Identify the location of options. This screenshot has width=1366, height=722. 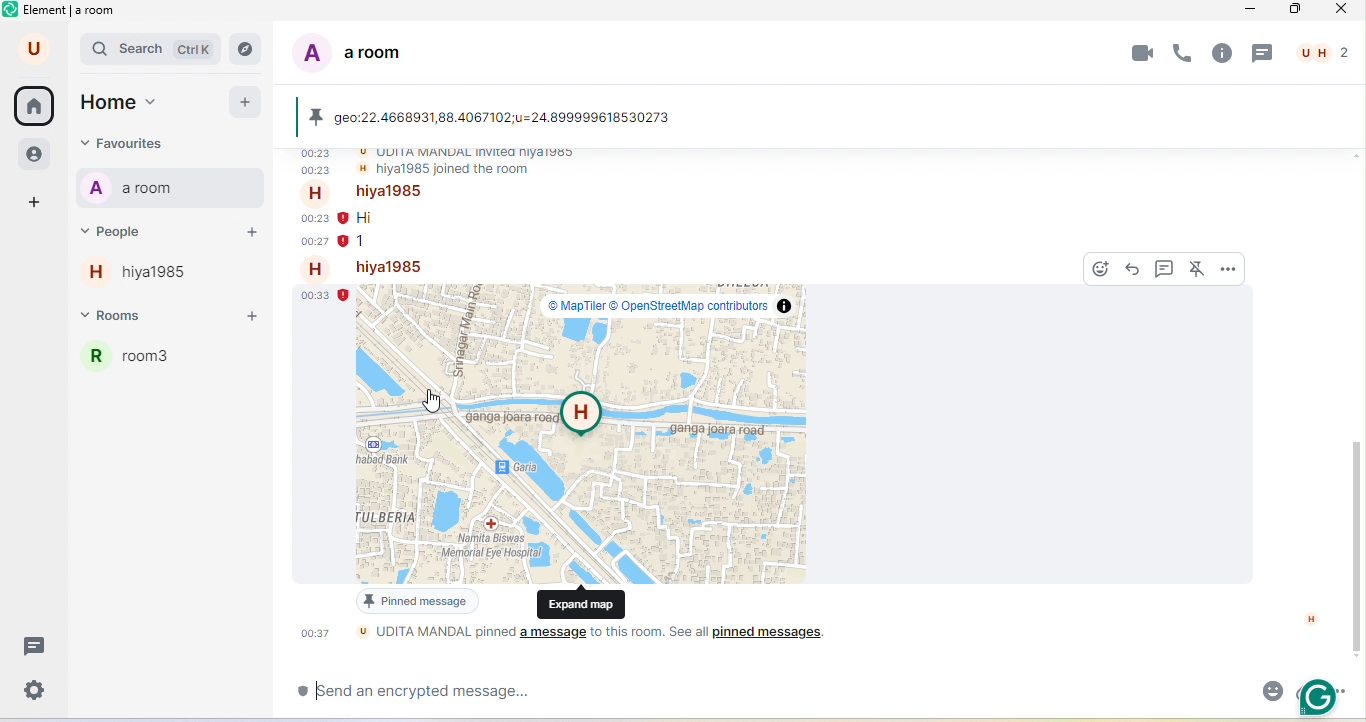
(1228, 267).